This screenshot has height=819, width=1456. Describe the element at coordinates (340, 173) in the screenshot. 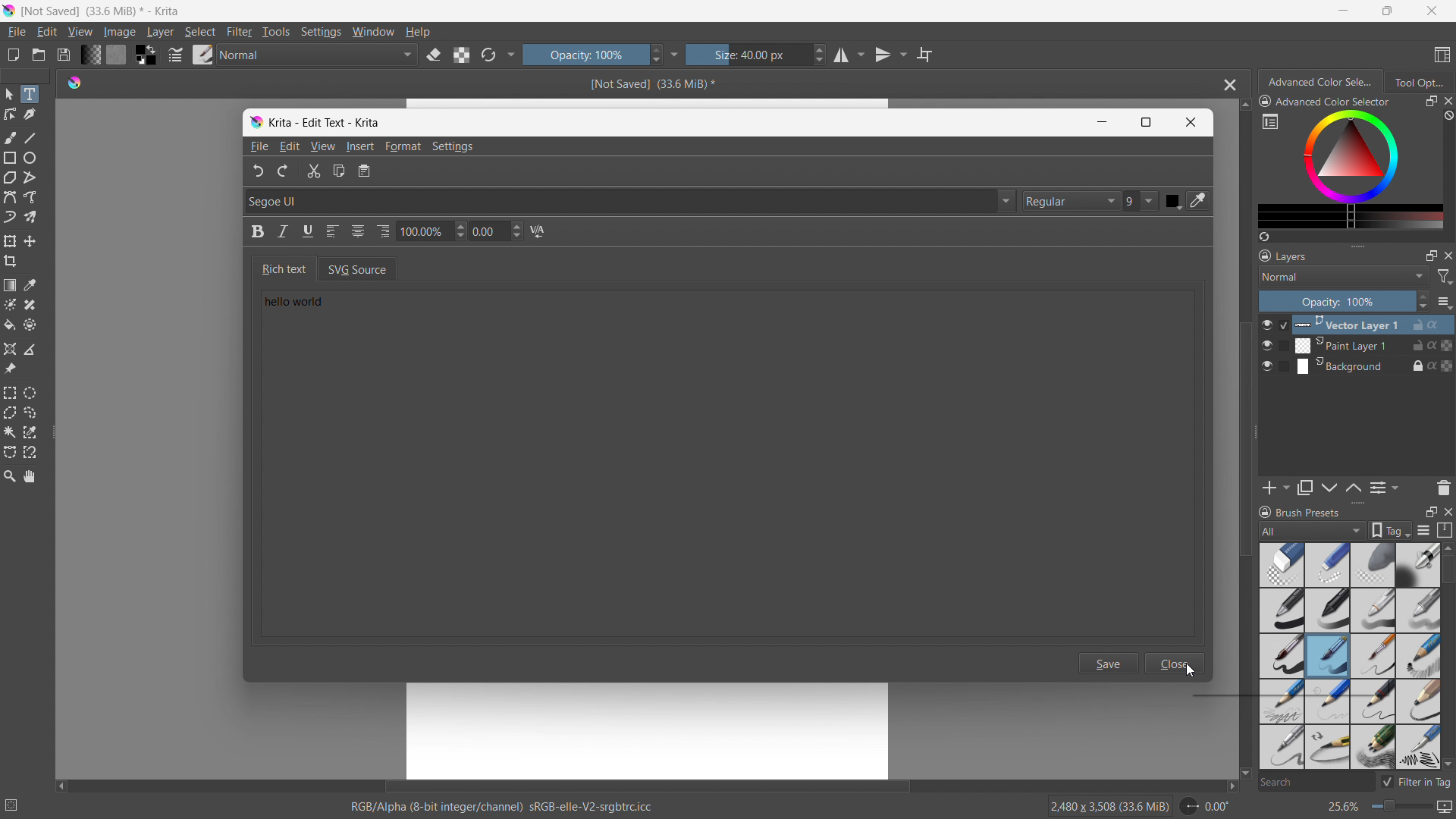

I see `Copy` at that location.